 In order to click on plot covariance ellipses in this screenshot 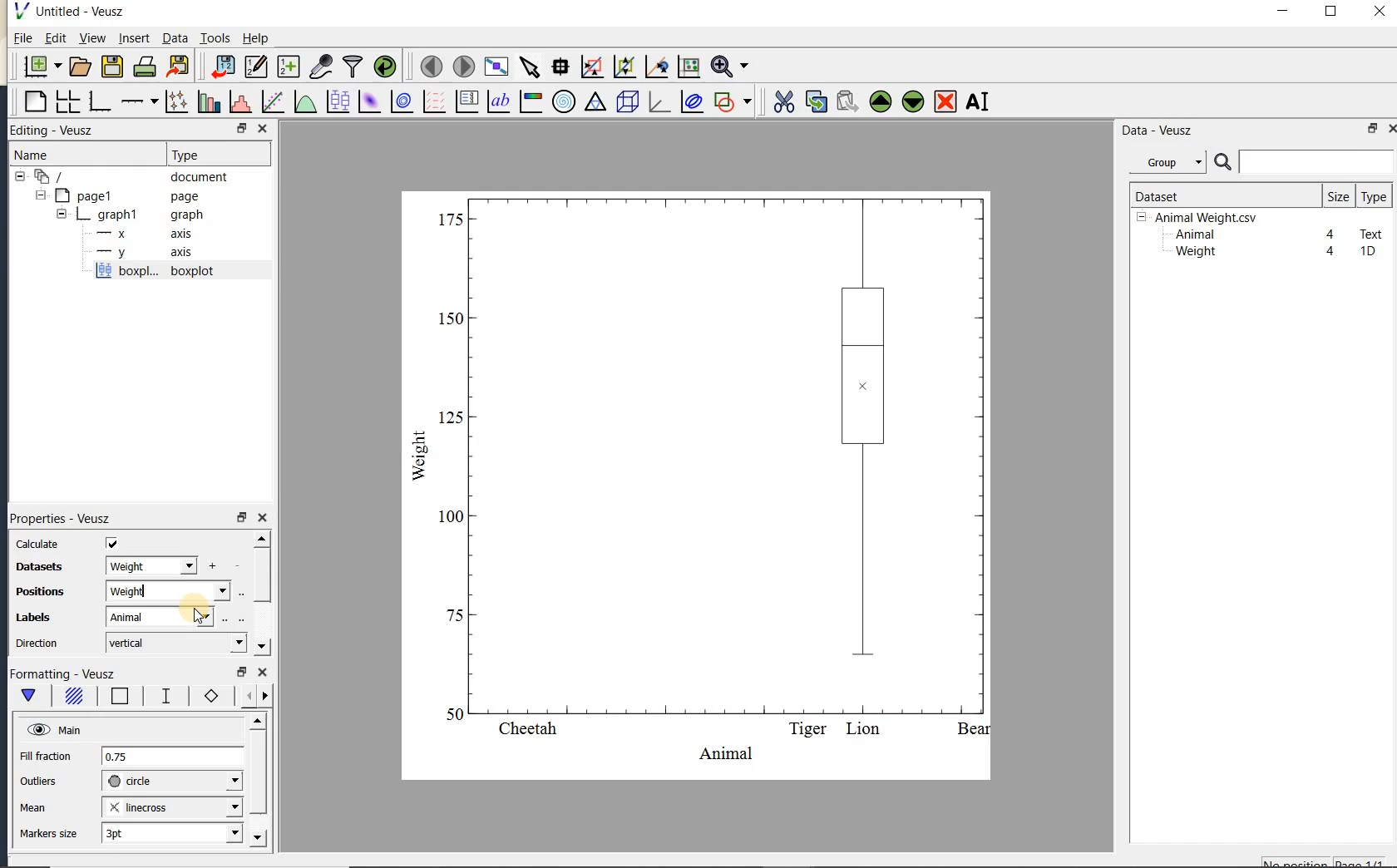, I will do `click(690, 101)`.